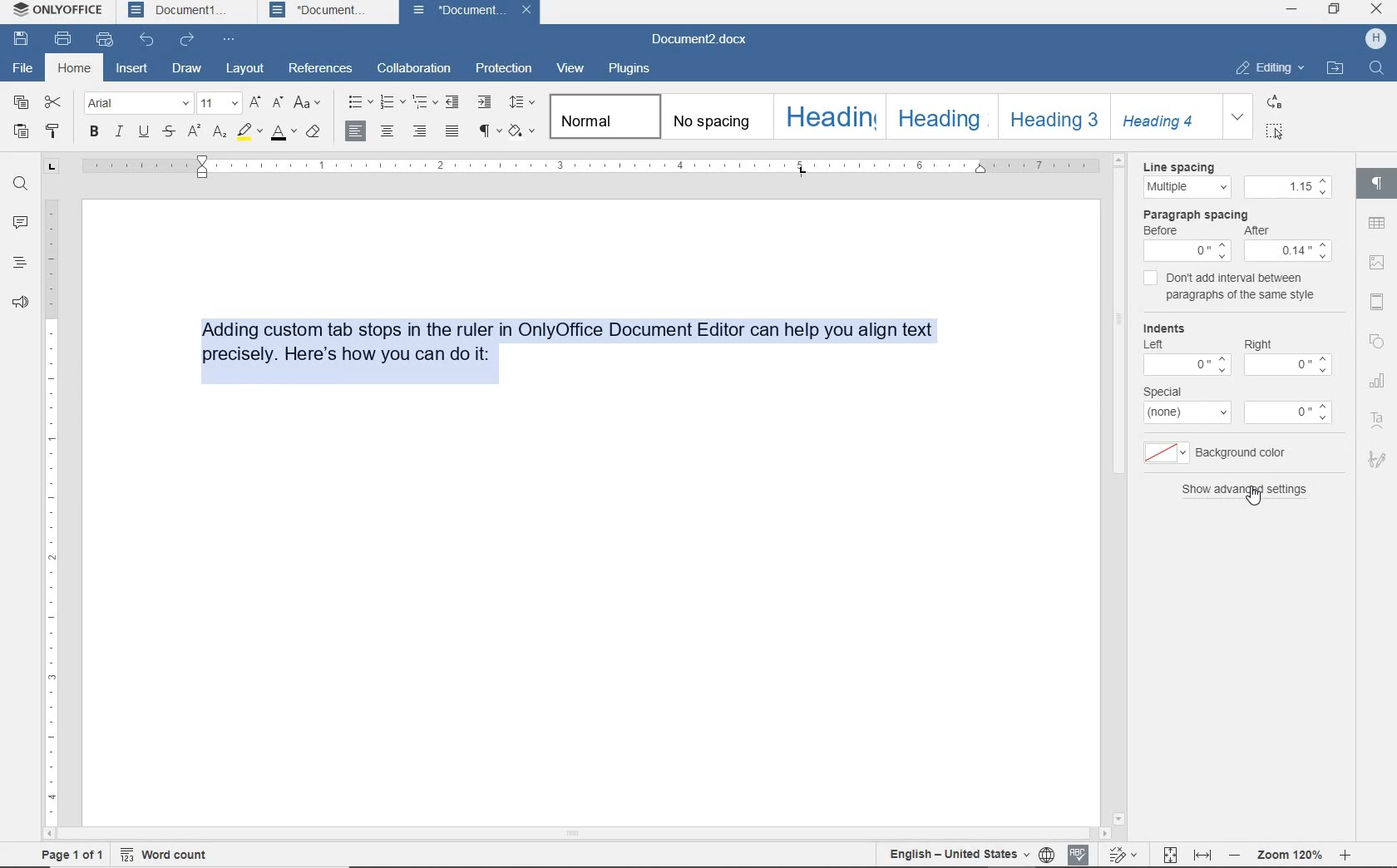 The height and width of the screenshot is (868, 1397). What do you see at coordinates (615, 163) in the screenshot?
I see `ruler` at bounding box center [615, 163].